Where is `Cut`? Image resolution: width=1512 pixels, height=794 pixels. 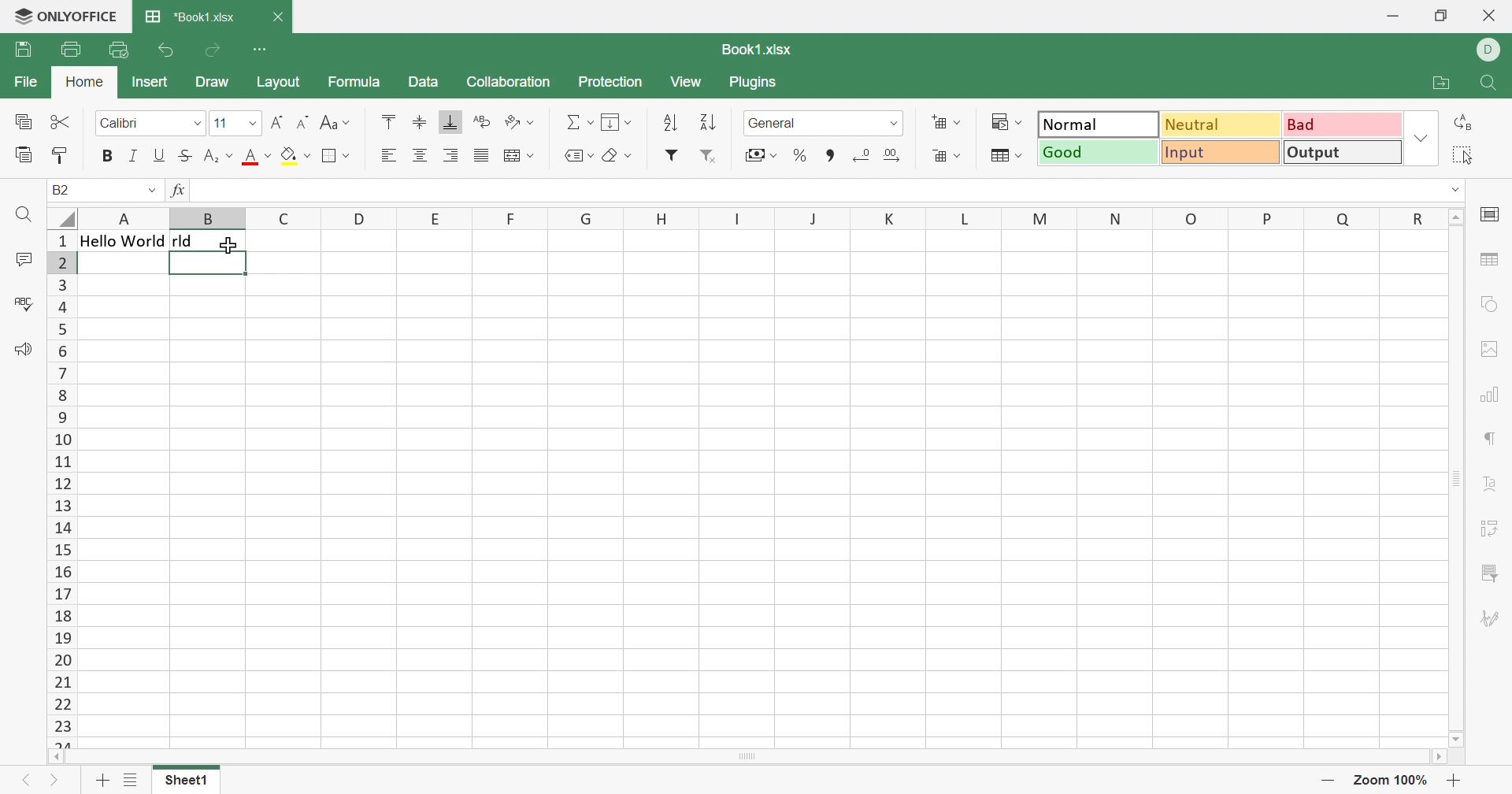 Cut is located at coordinates (60, 121).